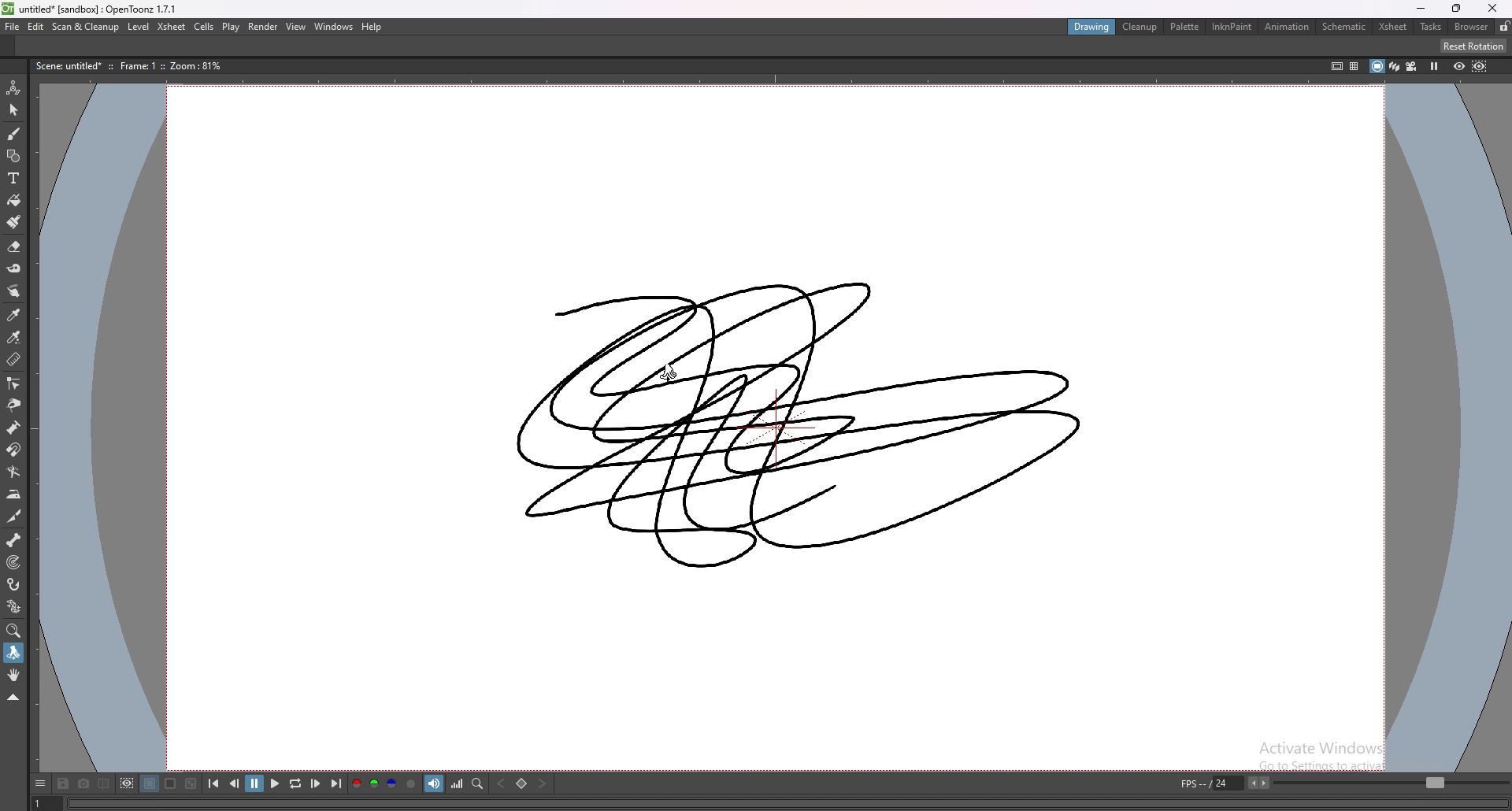  What do you see at coordinates (1457, 8) in the screenshot?
I see `resize` at bounding box center [1457, 8].